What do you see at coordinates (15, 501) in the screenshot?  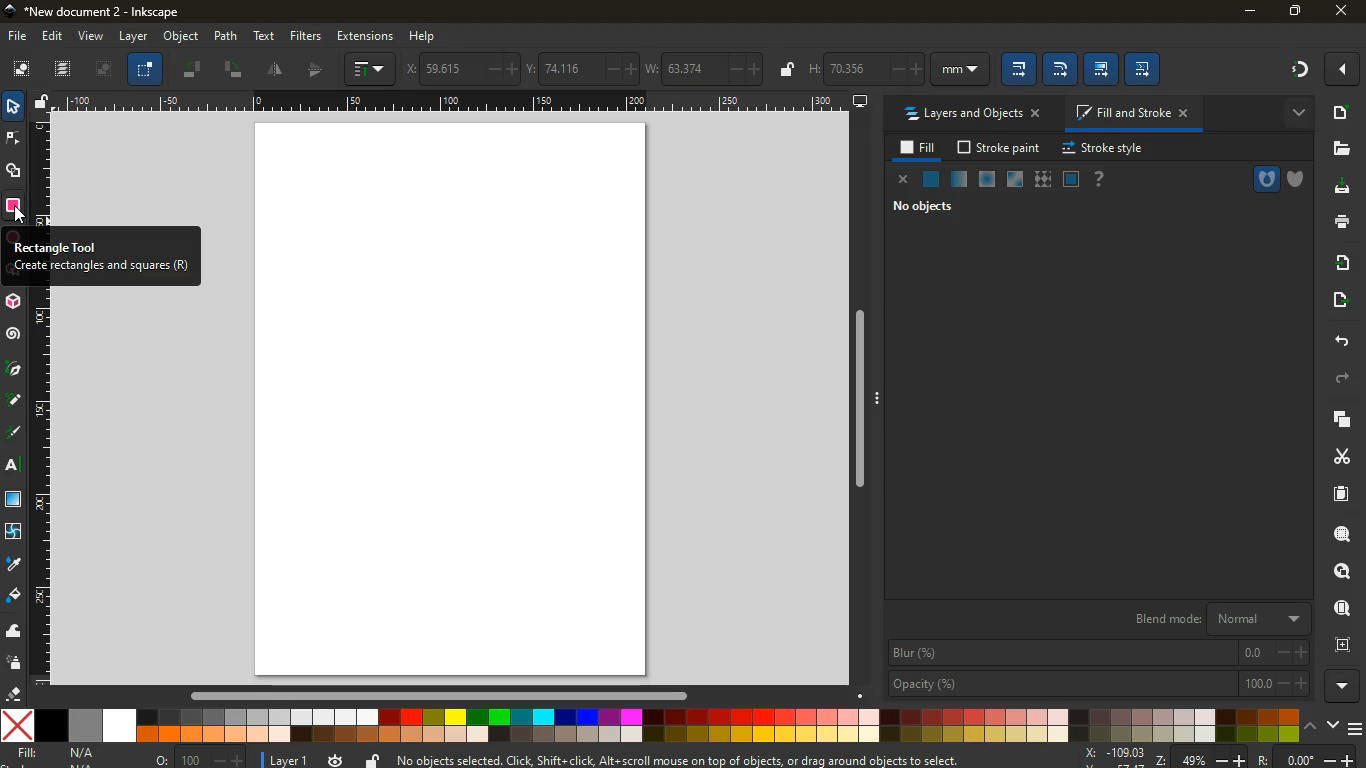 I see `window` at bounding box center [15, 501].